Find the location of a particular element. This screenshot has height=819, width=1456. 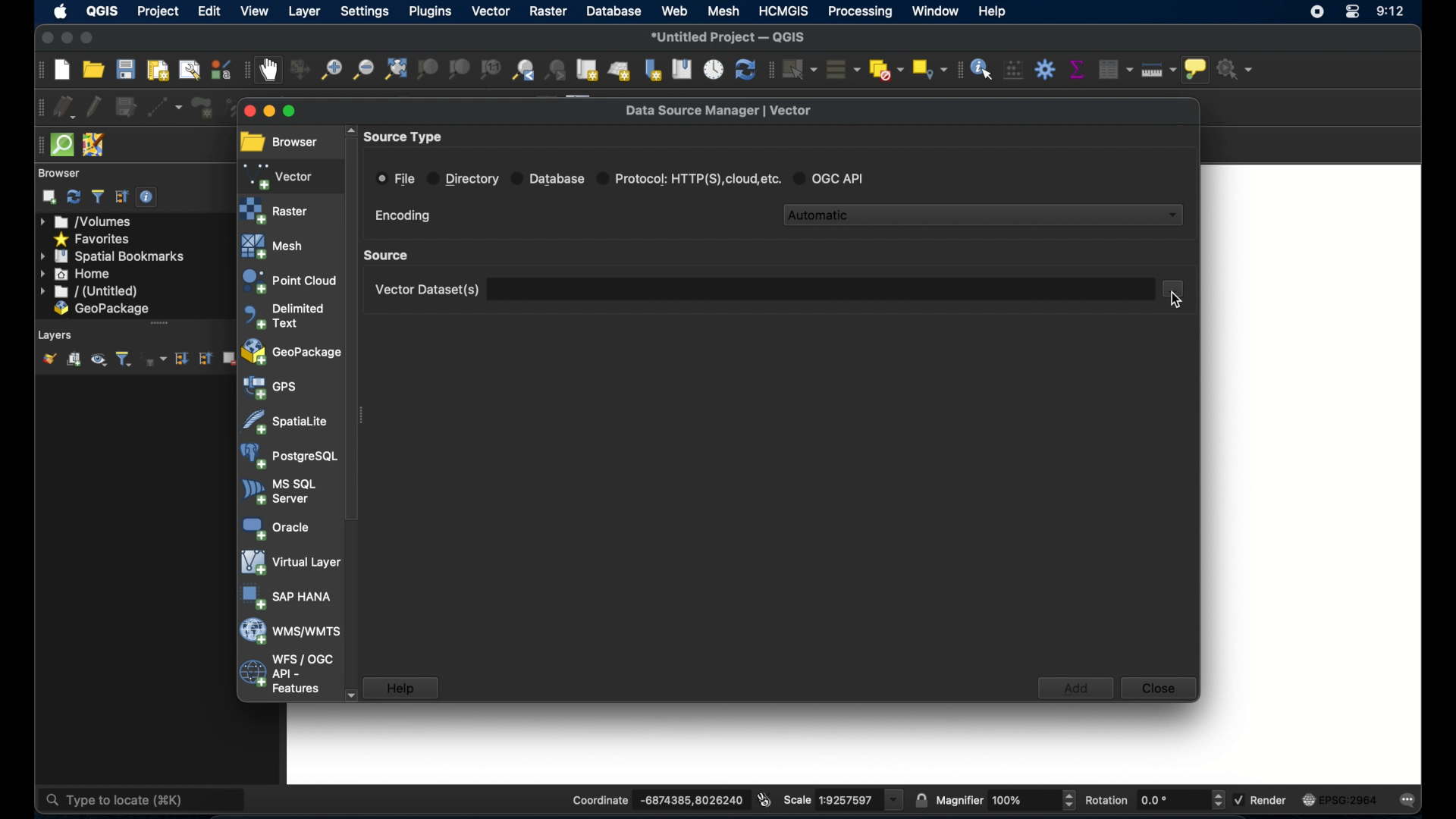

HCMGIS is located at coordinates (785, 11).